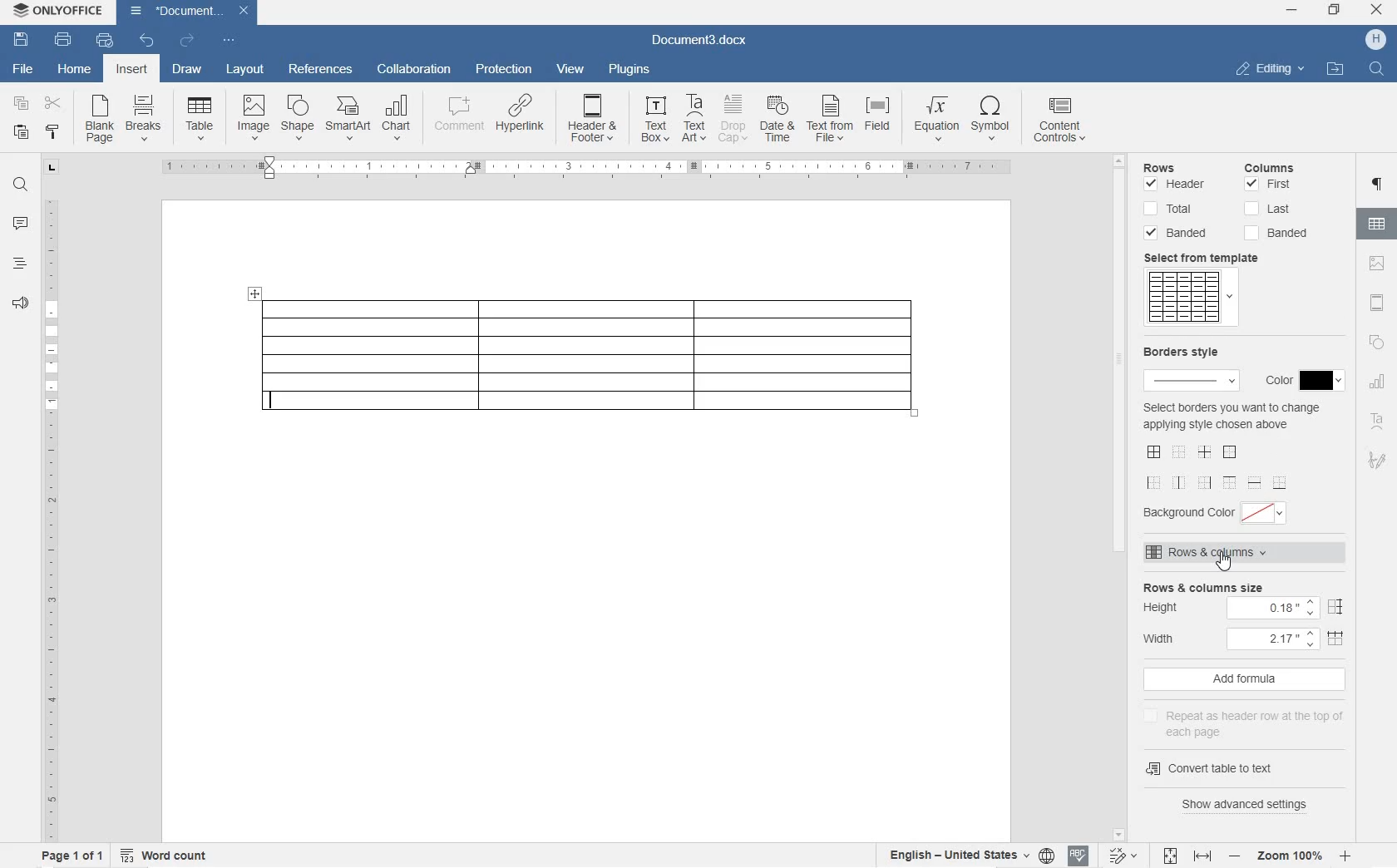 The image size is (1397, 868). I want to click on TAB, so click(52, 170).